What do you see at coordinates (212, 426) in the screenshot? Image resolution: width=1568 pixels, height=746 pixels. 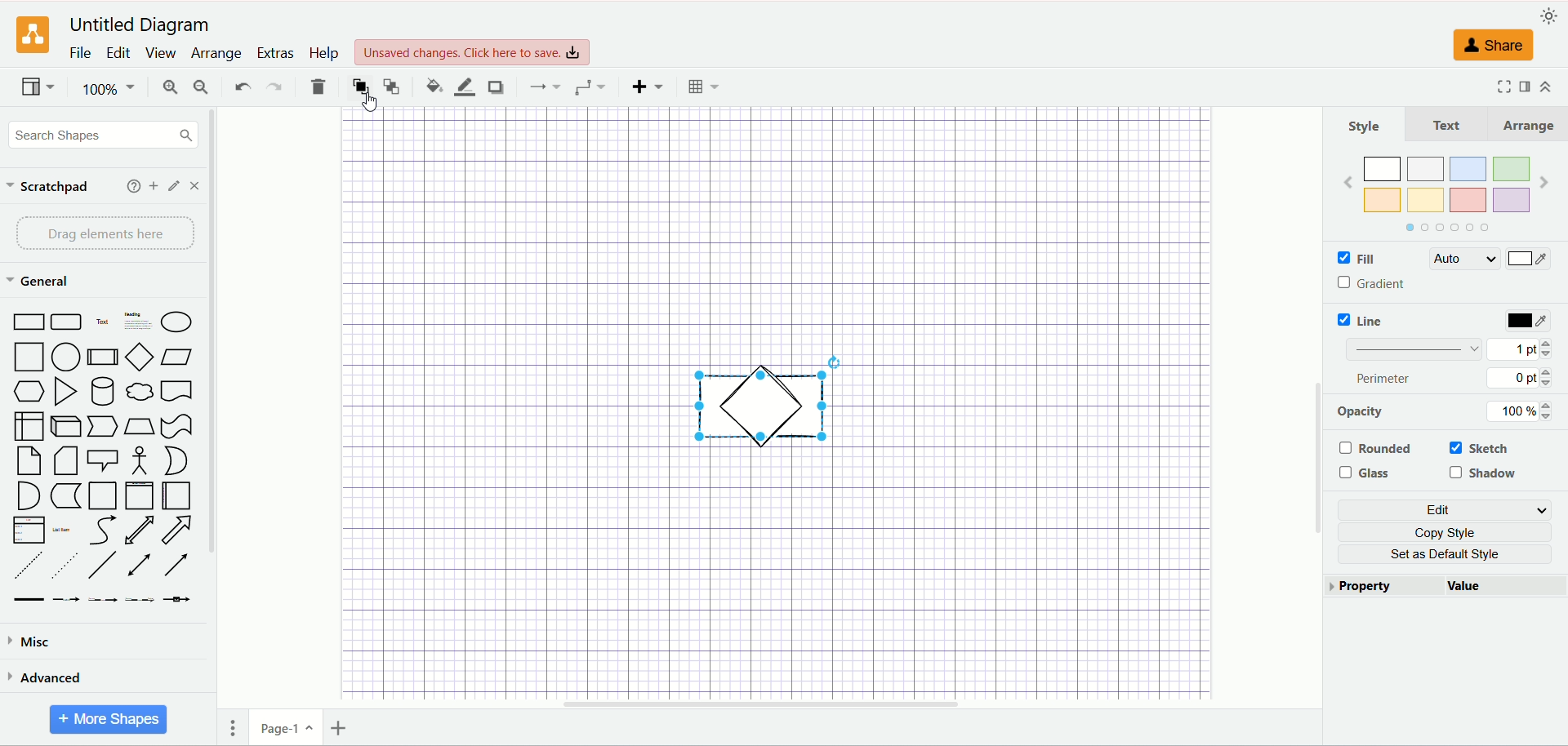 I see `vertical scroll bar` at bounding box center [212, 426].